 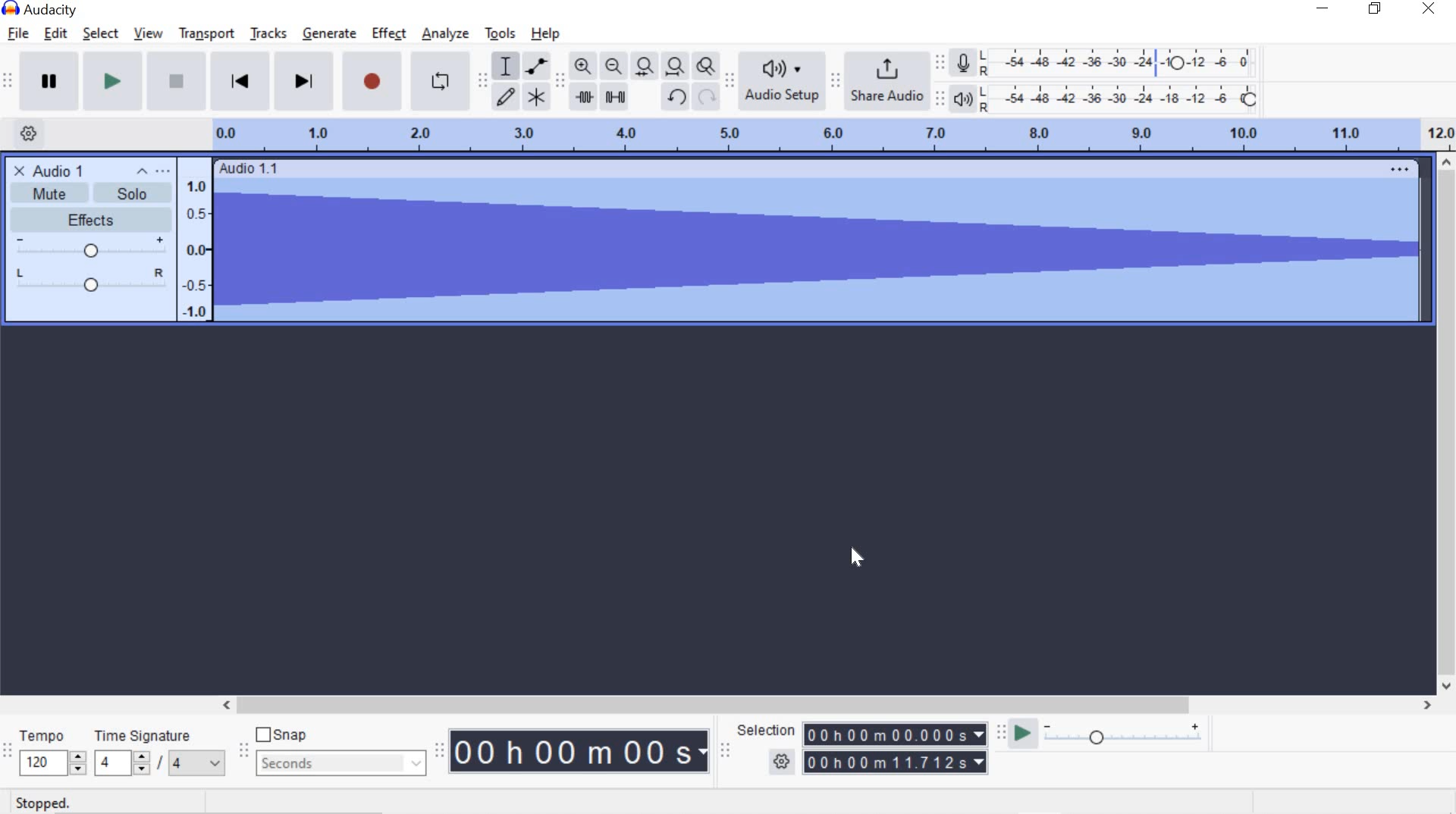 I want to click on restore down, so click(x=1375, y=9).